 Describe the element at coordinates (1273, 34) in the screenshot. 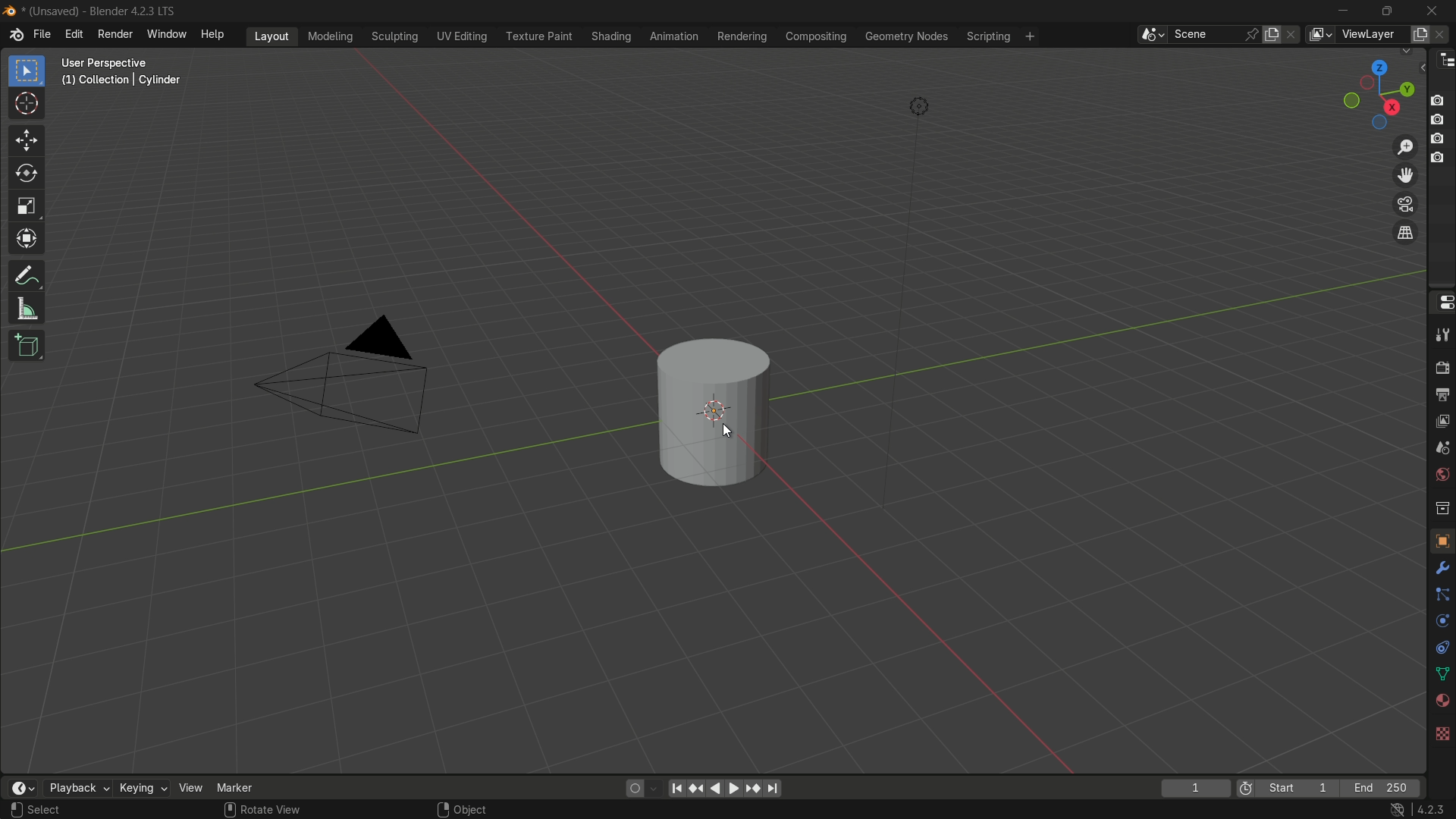

I see `new scene` at that location.